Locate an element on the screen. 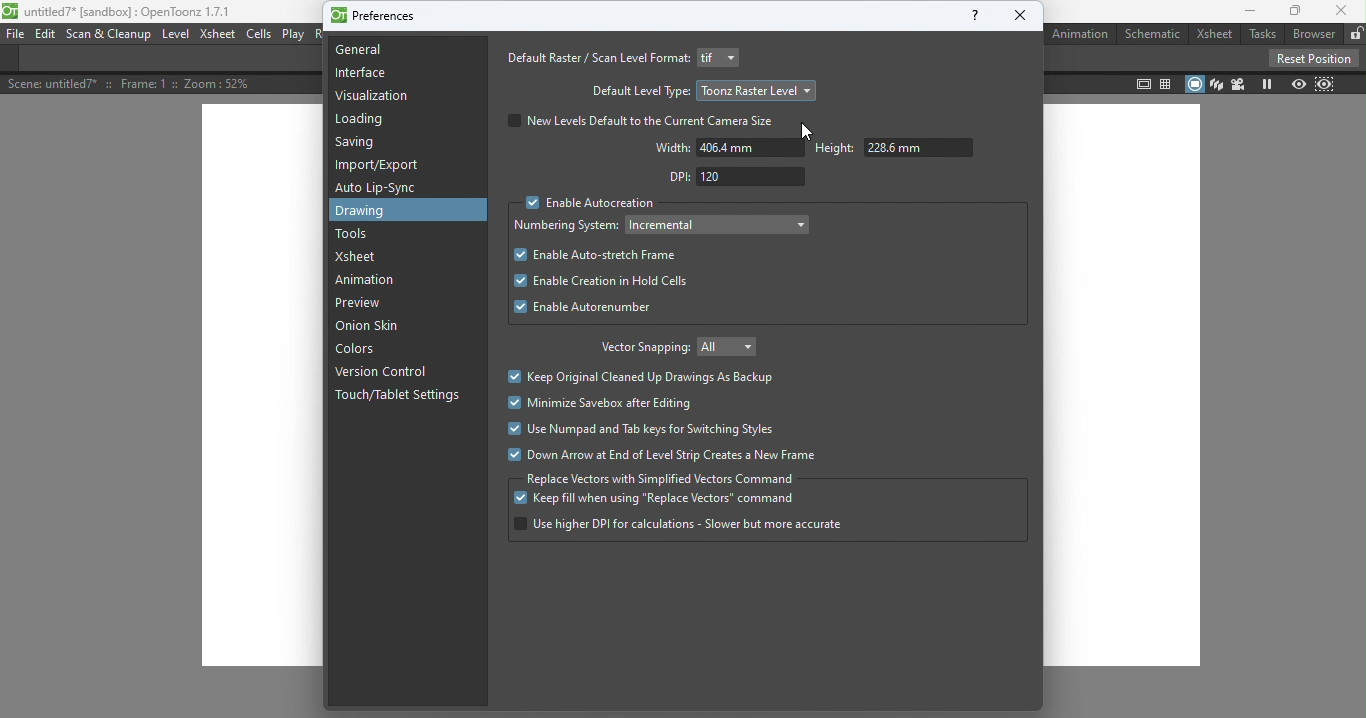 The width and height of the screenshot is (1366, 718). level is located at coordinates (178, 35).